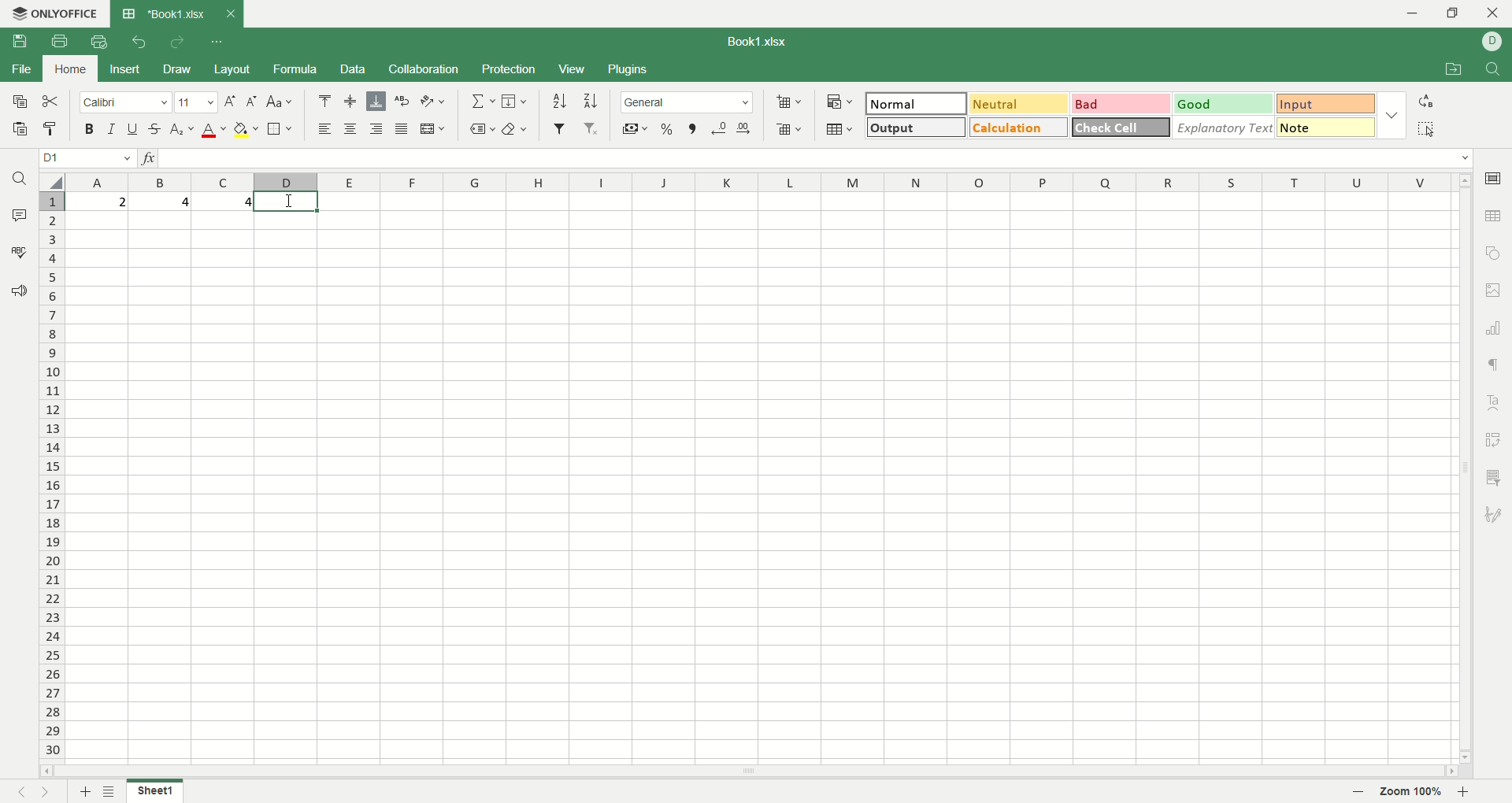 The width and height of the screenshot is (1512, 803). I want to click on open file location, so click(1451, 71).